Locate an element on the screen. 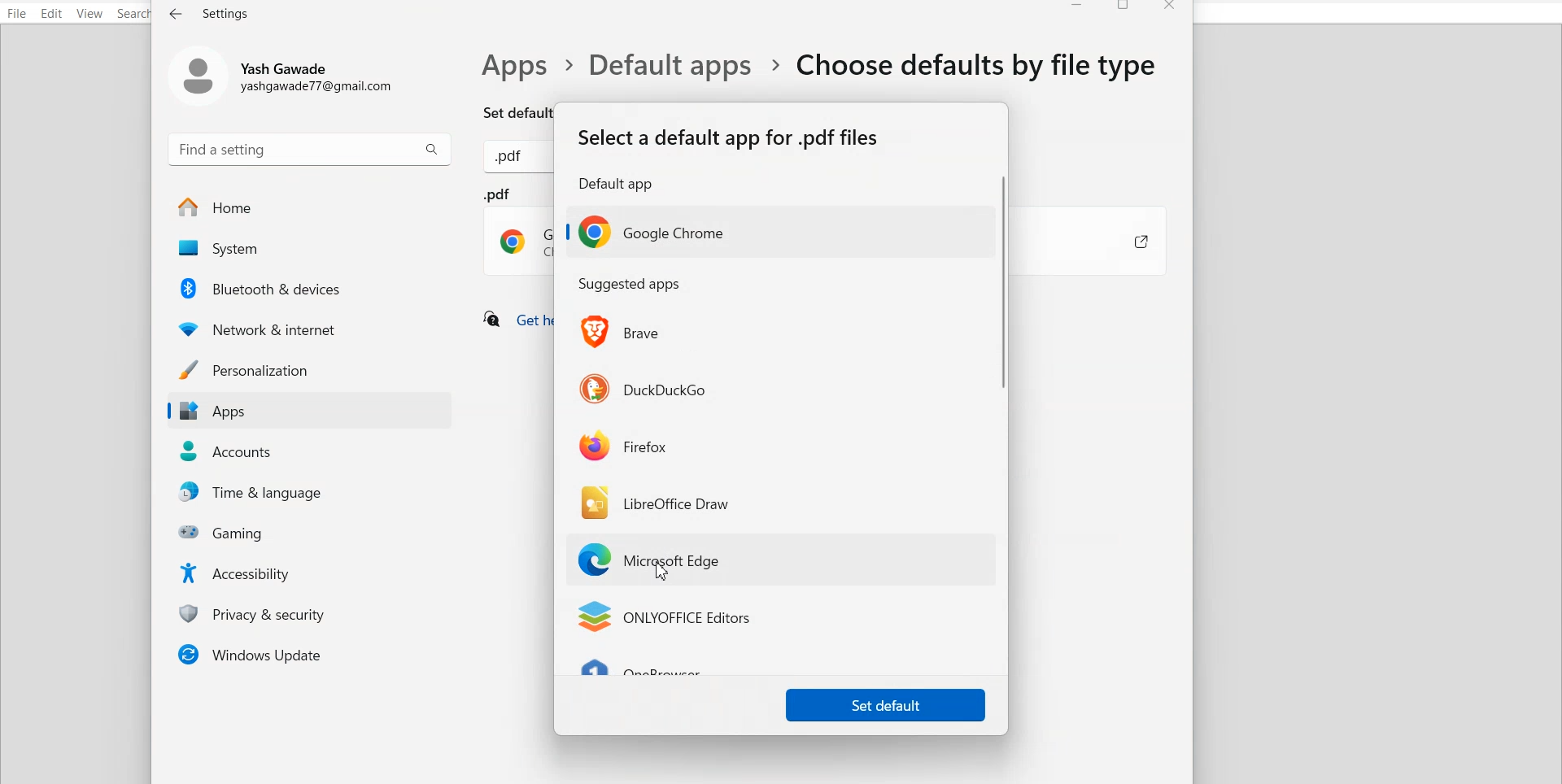 Image resolution: width=1562 pixels, height=784 pixels. Home is located at coordinates (309, 207).